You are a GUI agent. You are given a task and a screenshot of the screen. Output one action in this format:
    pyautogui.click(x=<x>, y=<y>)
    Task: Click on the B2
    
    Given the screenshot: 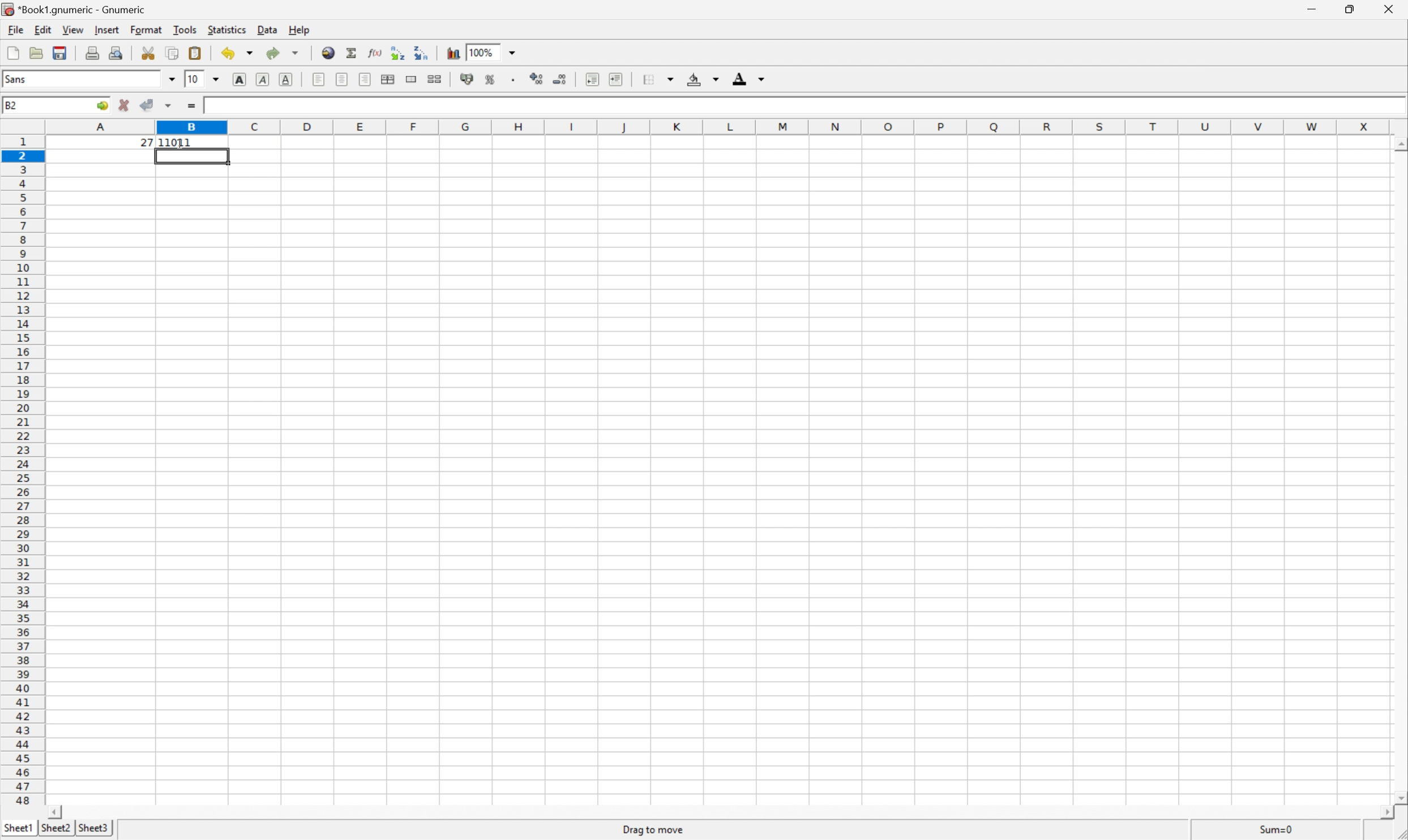 What is the action you would take?
    pyautogui.click(x=11, y=106)
    